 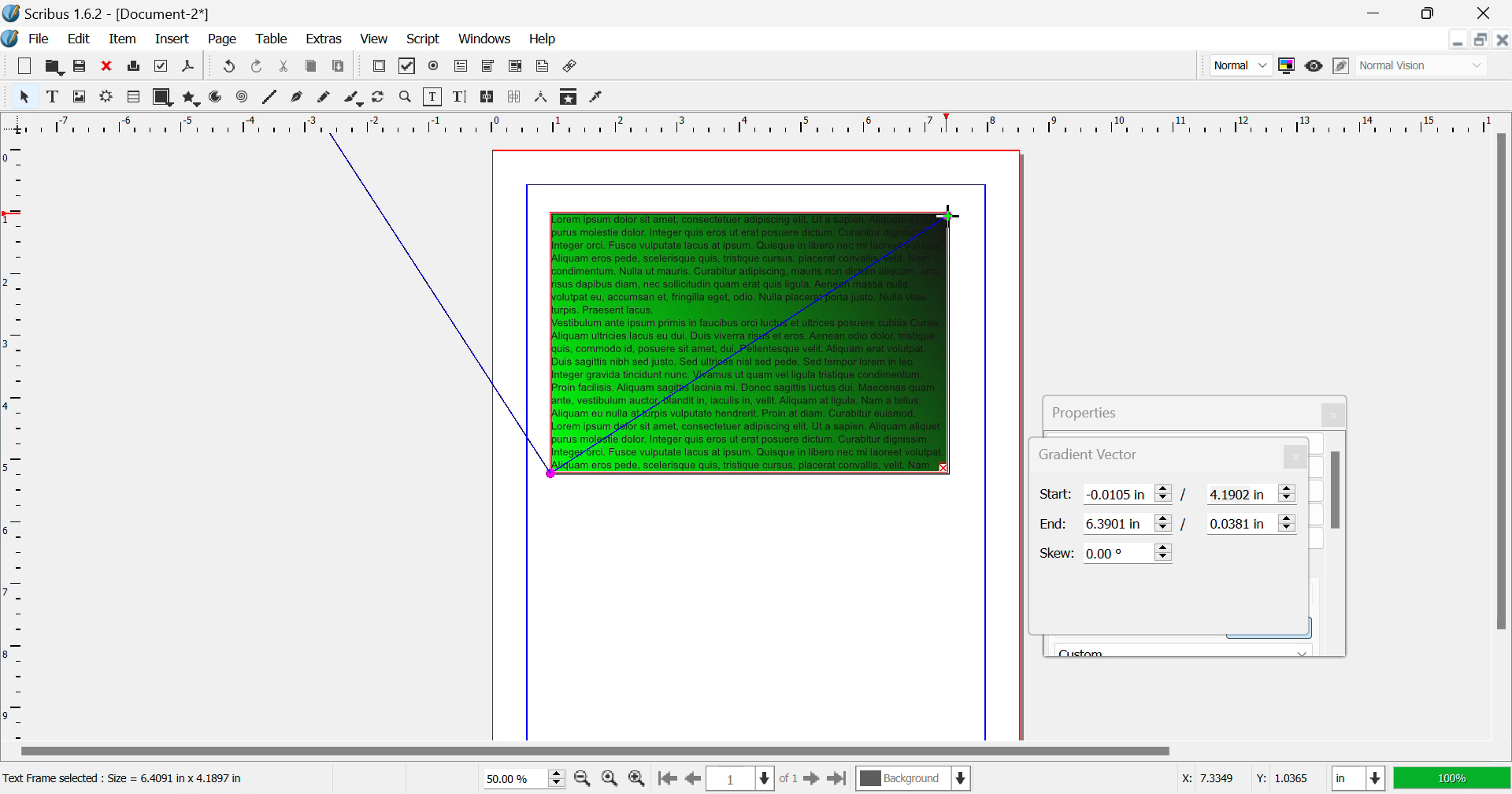 I want to click on Gradient Applied, so click(x=753, y=344).